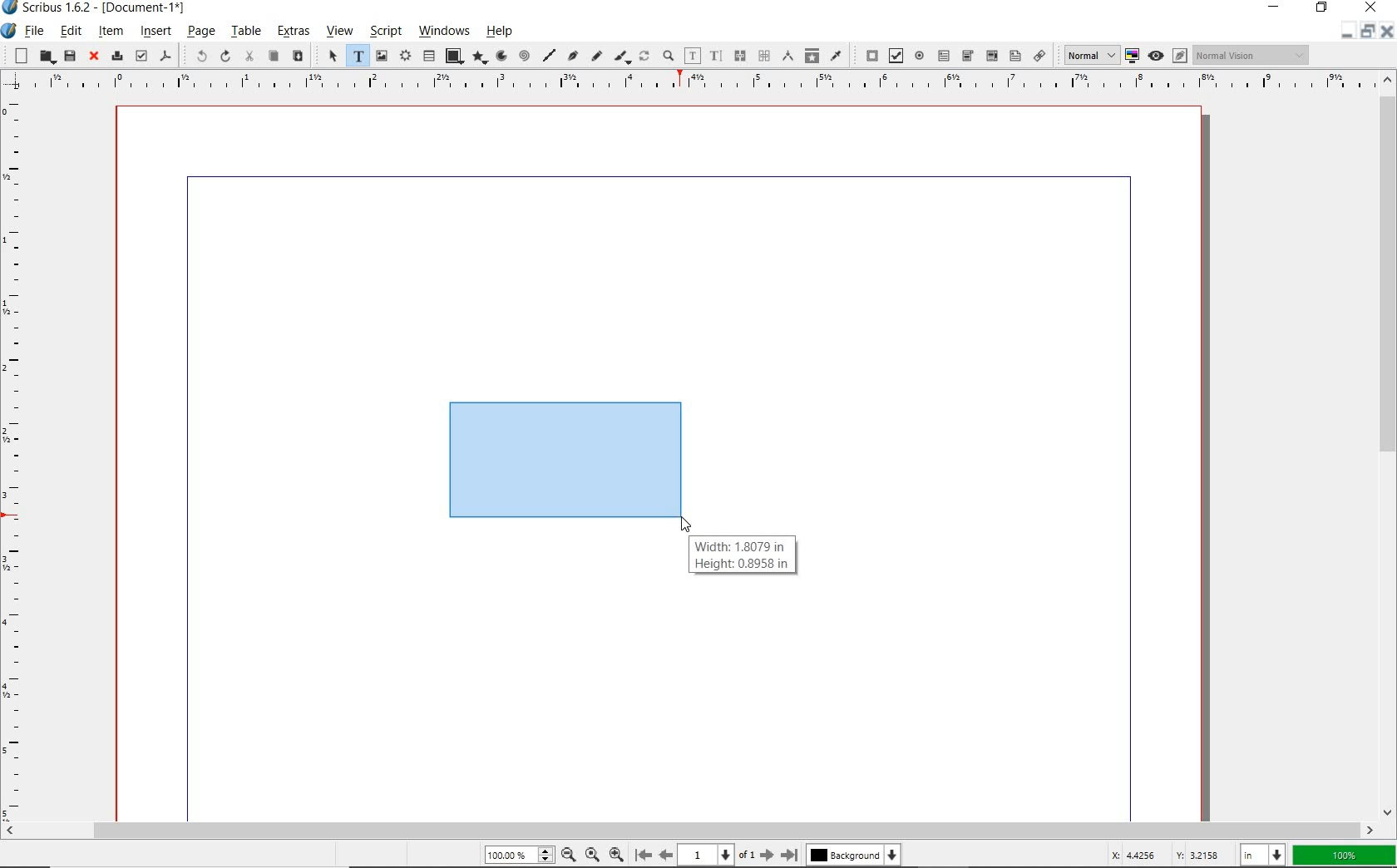  I want to click on DRAG_TO Cursor Position, so click(688, 525).